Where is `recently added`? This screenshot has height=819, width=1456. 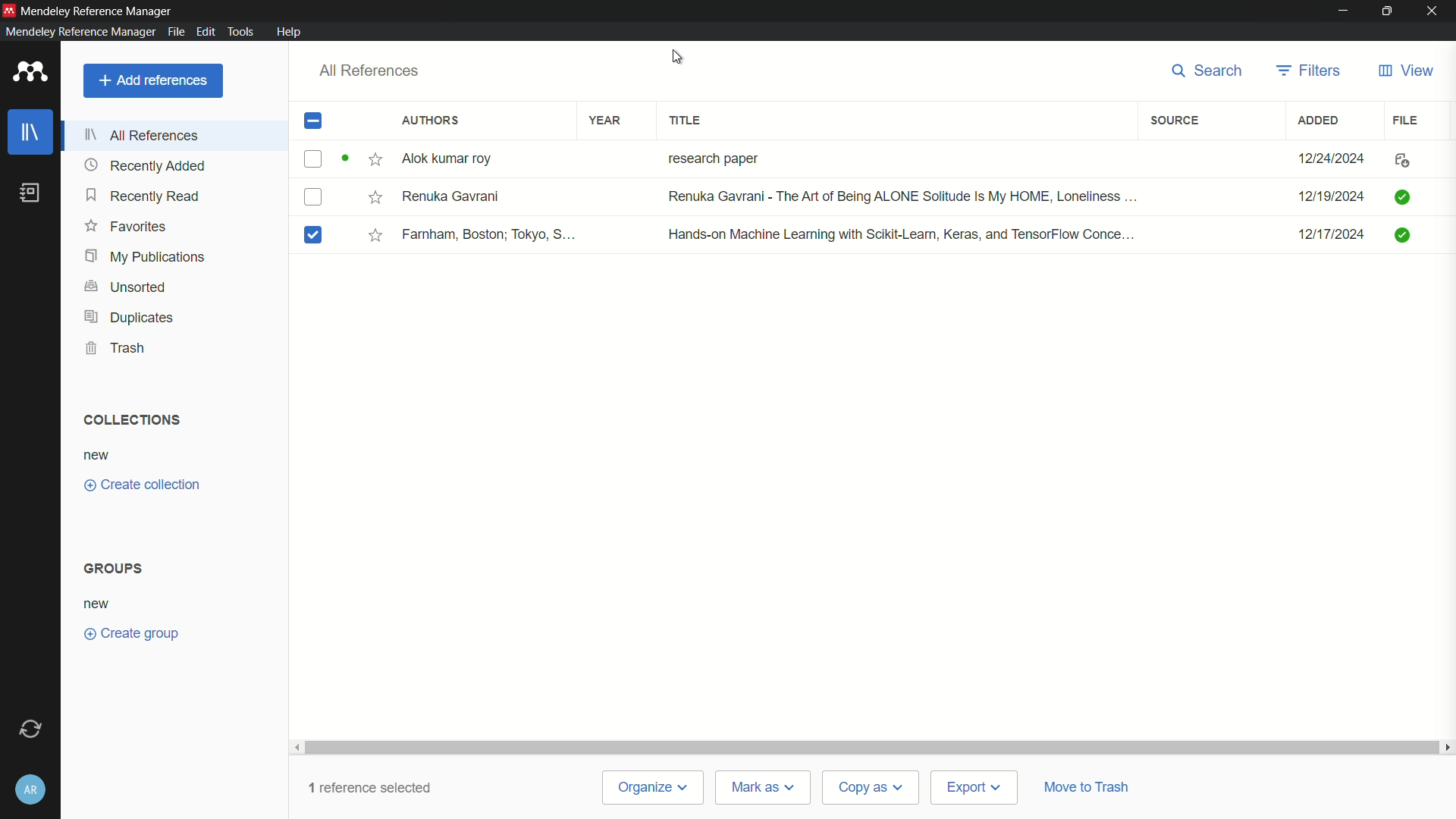
recently added is located at coordinates (147, 165).